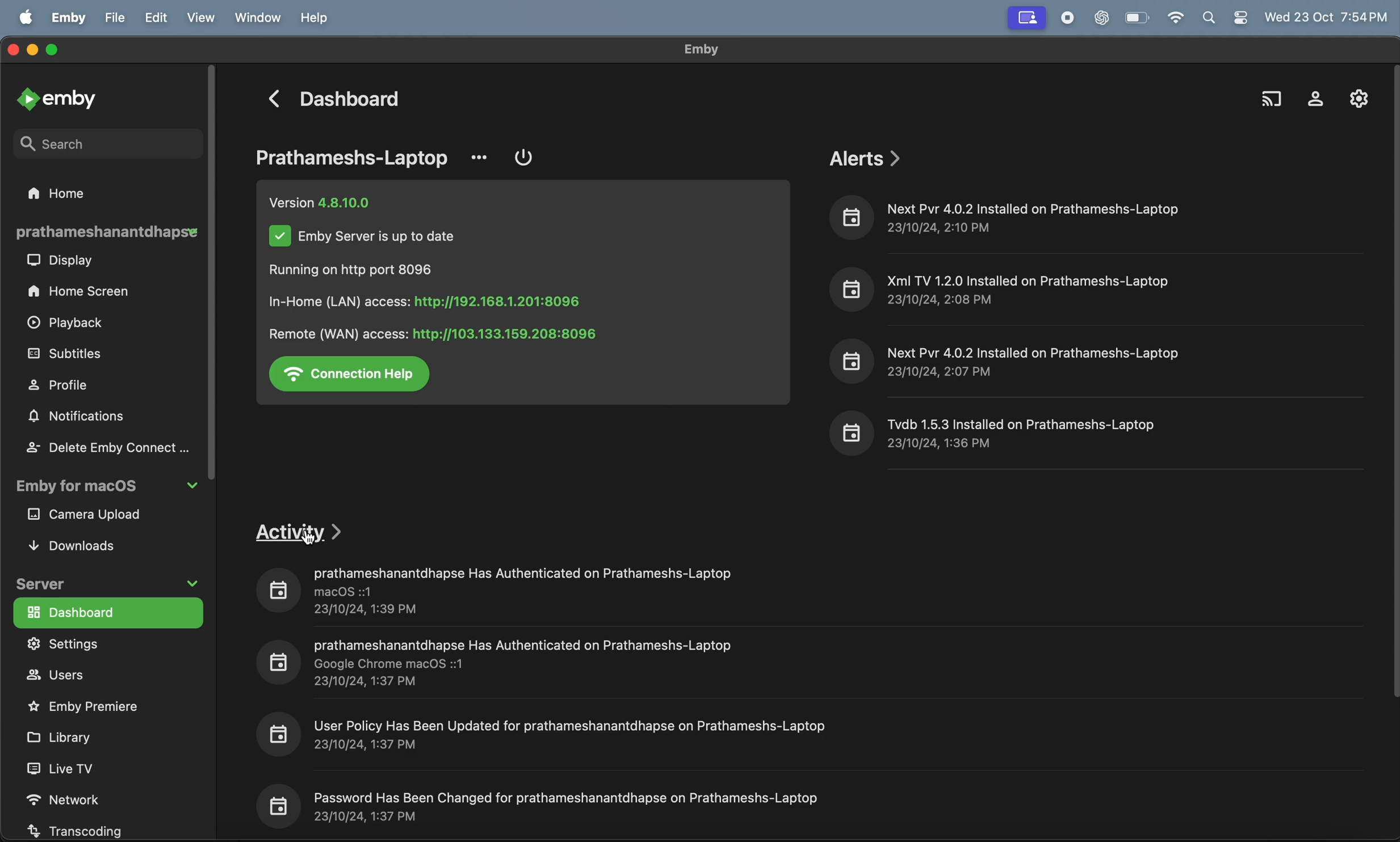  What do you see at coordinates (498, 664) in the screenshot?
I see `prathameshanantdhapse Has Authenticated on Prathameshs-Laptop
& Google Chrome macOS ::1
23/10/24, 1:37 PM` at bounding box center [498, 664].